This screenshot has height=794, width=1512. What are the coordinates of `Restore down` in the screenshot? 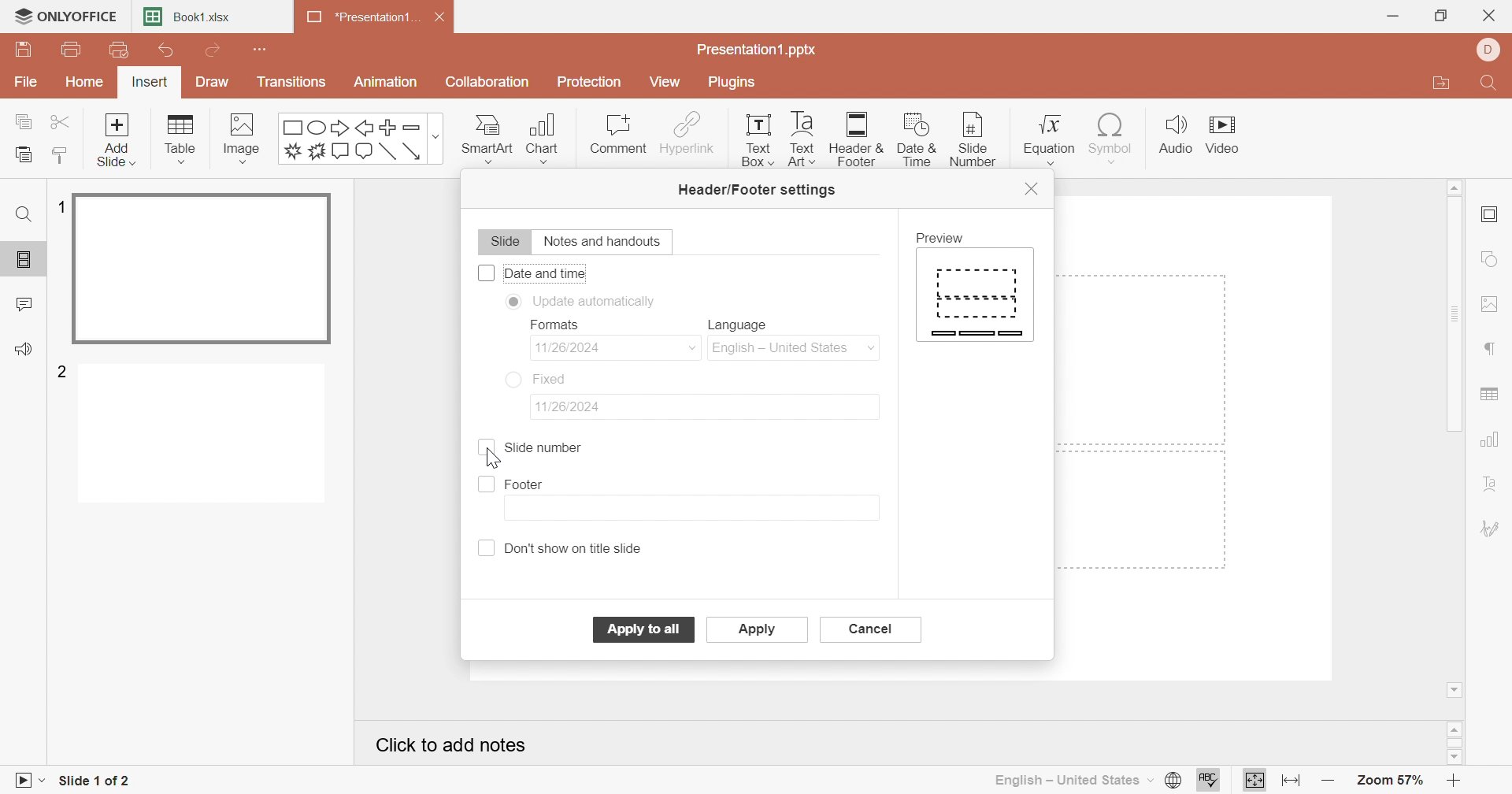 It's located at (1443, 15).